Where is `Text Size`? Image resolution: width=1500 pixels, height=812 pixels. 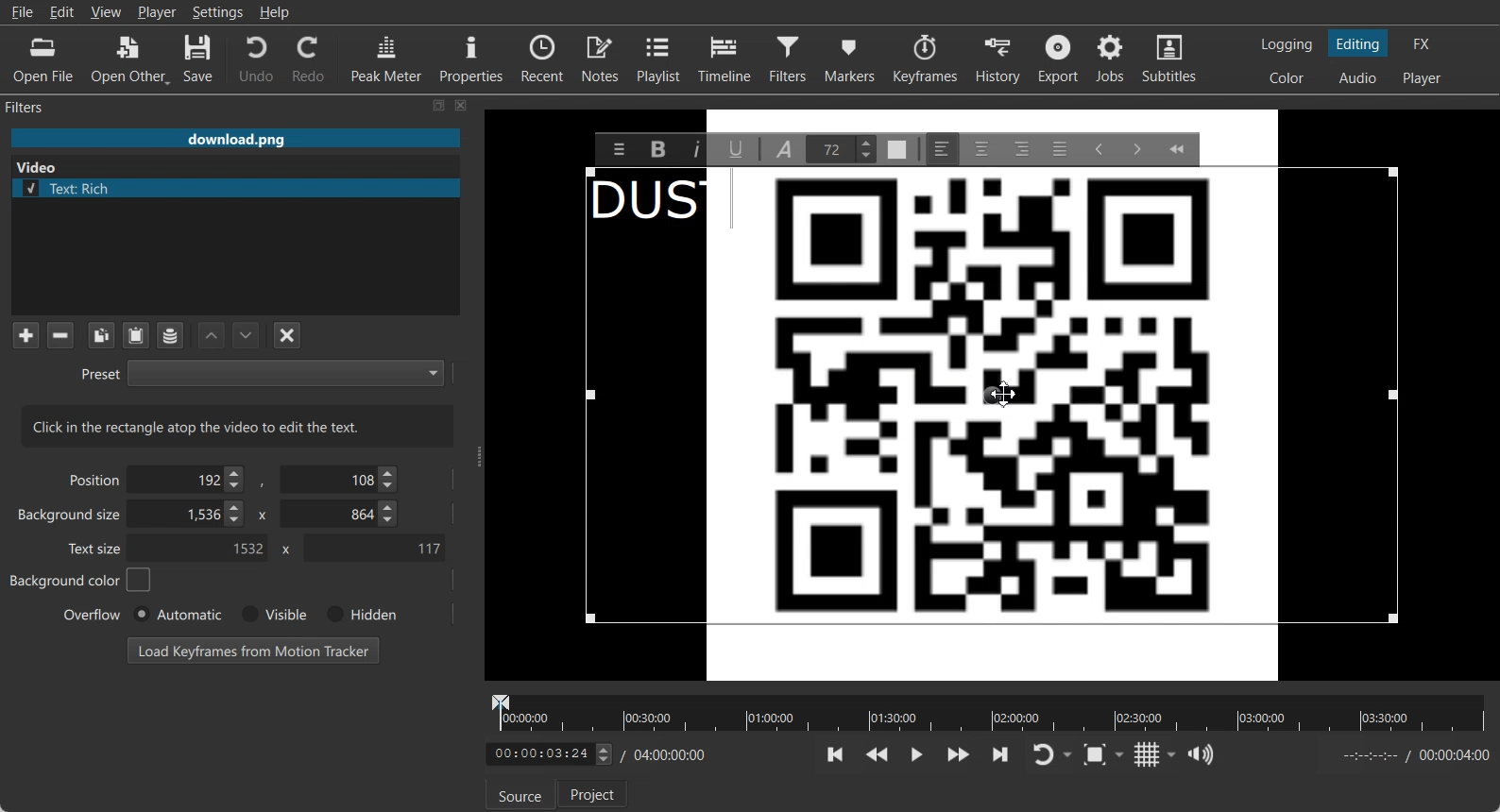 Text Size is located at coordinates (840, 149).